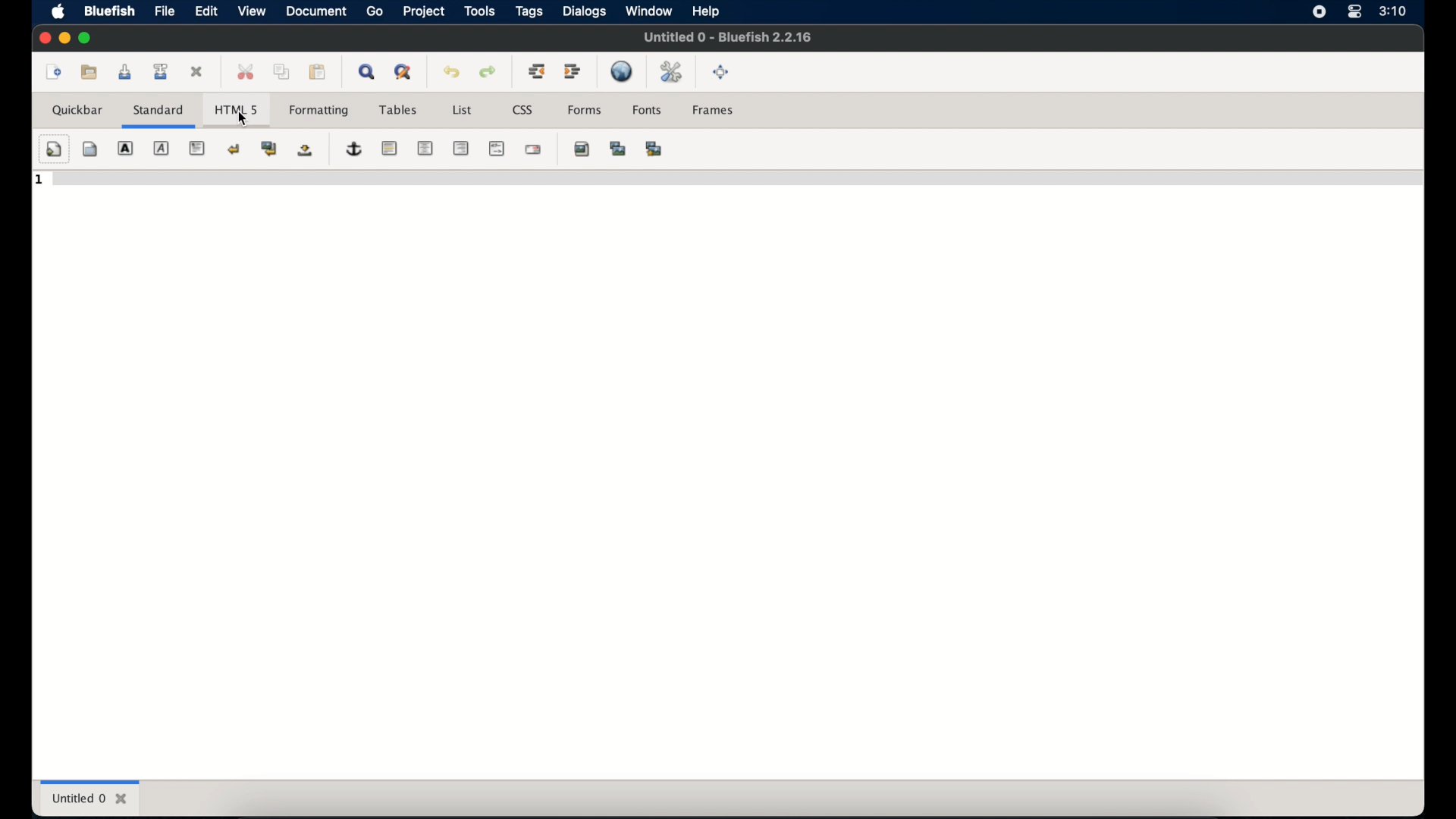 The image size is (1456, 819). Describe the element at coordinates (51, 71) in the screenshot. I see `new` at that location.